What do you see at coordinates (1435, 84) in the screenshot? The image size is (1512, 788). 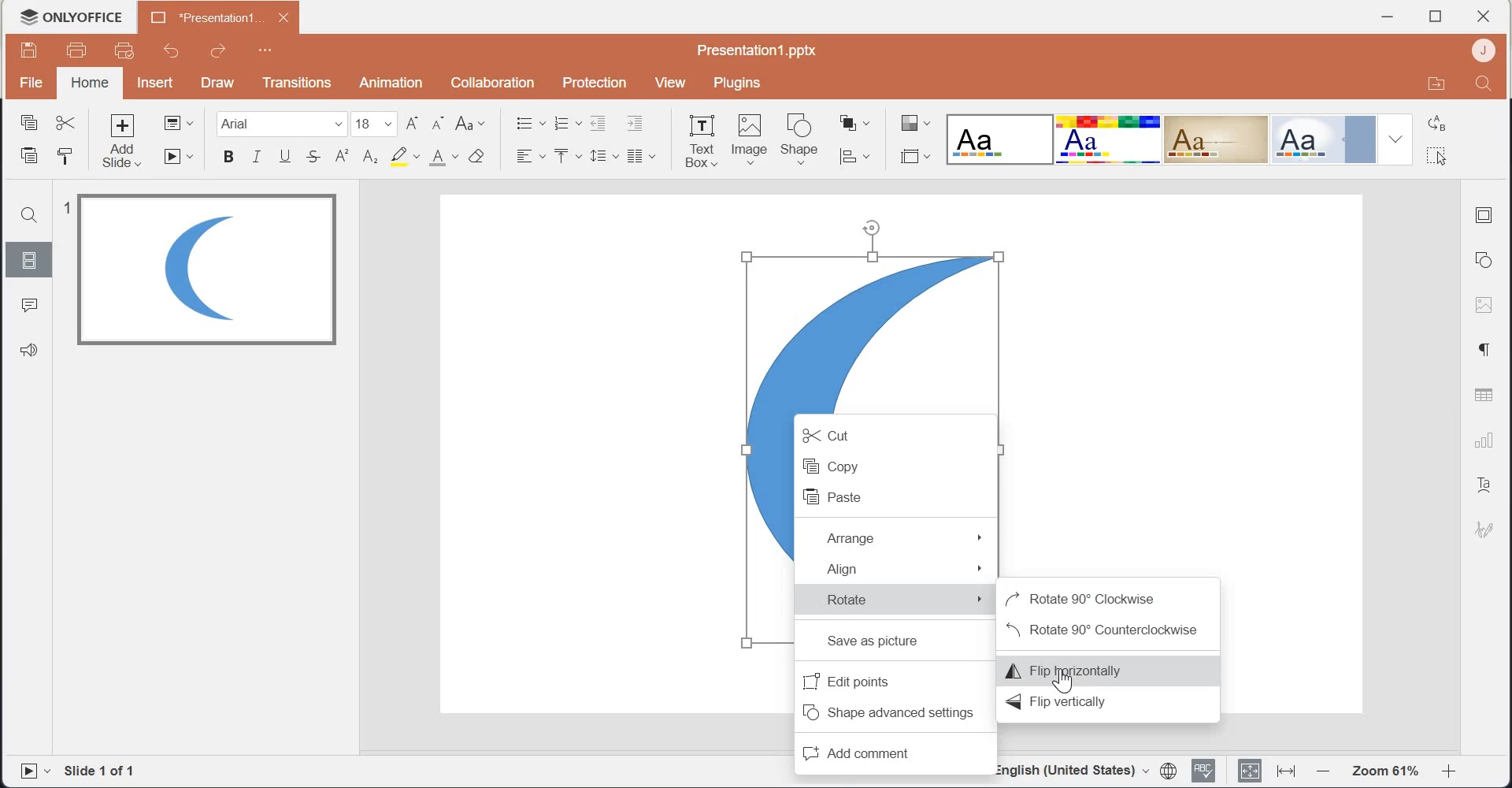 I see `Open in file location` at bounding box center [1435, 84].